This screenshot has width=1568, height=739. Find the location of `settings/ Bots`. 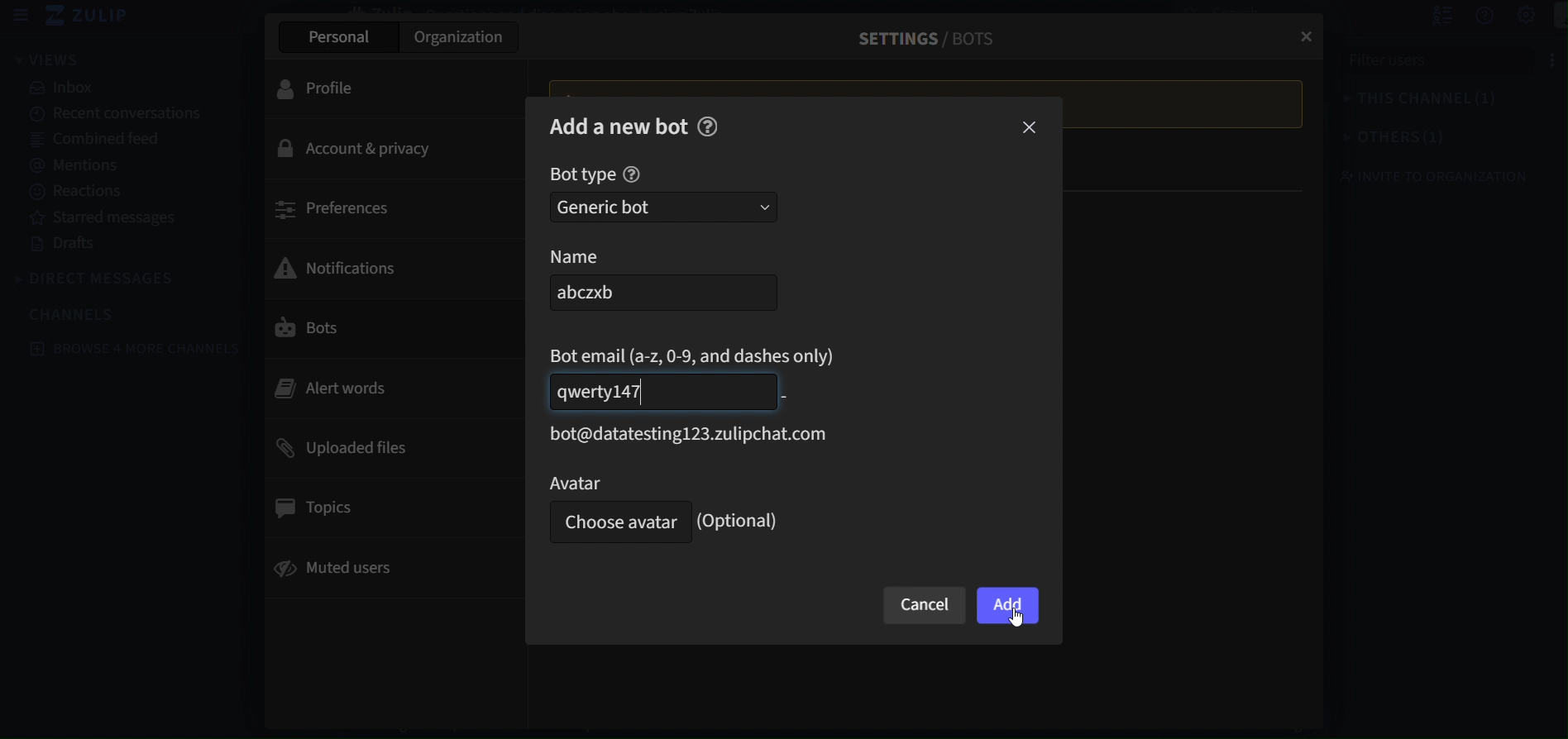

settings/ Bots is located at coordinates (918, 38).